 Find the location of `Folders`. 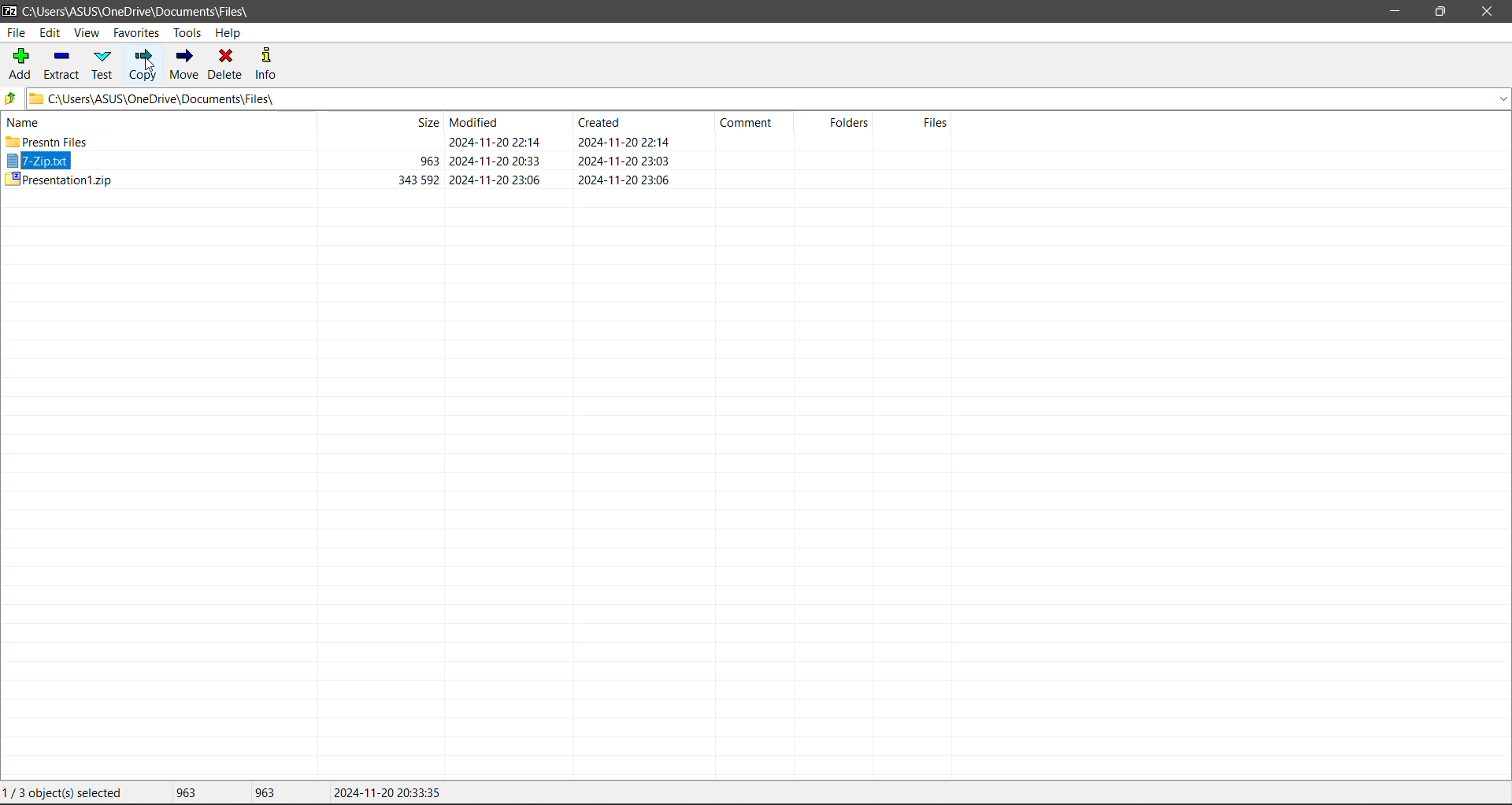

Folders is located at coordinates (843, 128).